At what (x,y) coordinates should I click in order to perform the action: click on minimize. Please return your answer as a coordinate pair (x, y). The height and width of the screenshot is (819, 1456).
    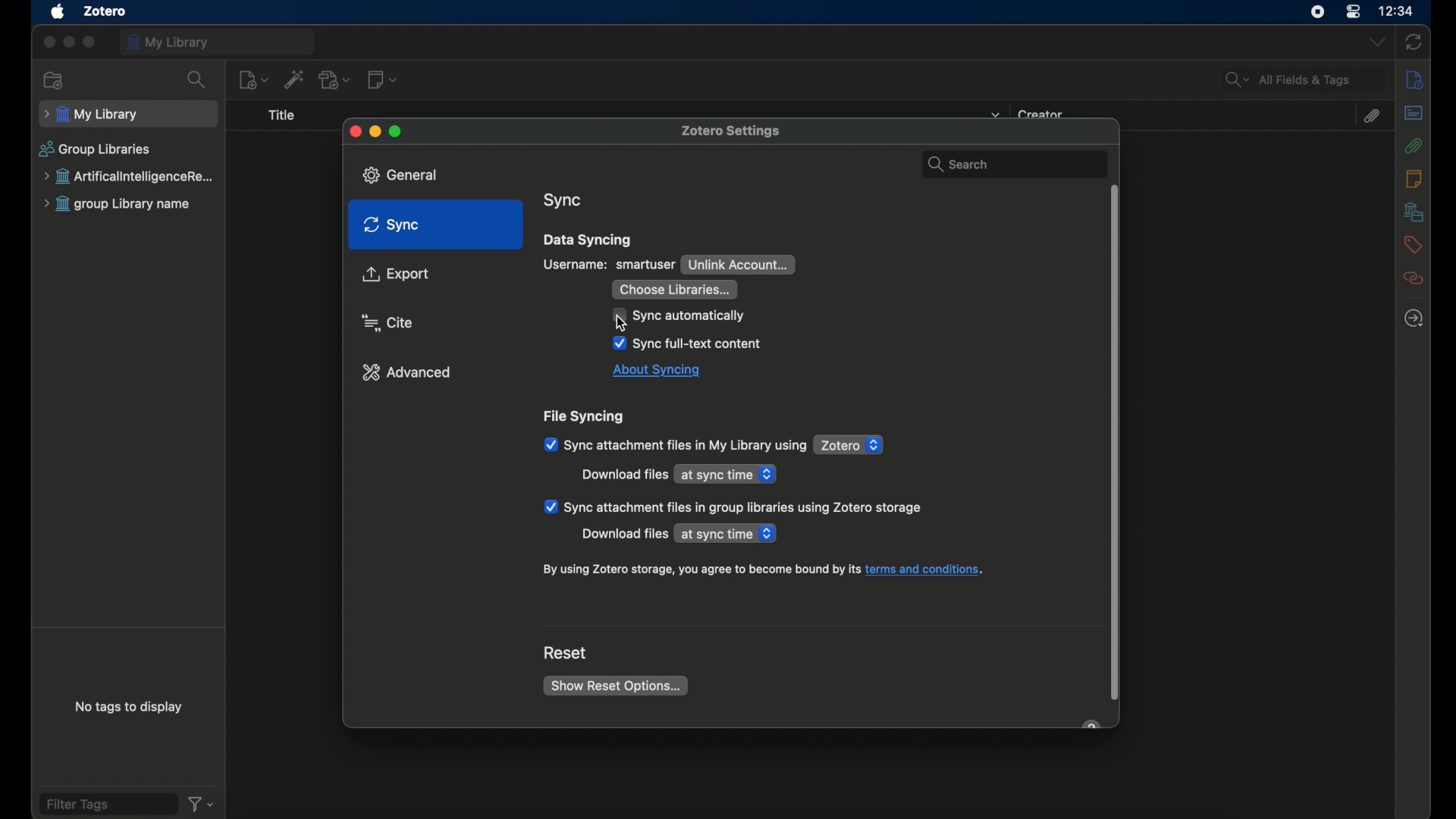
    Looking at the image, I should click on (375, 132).